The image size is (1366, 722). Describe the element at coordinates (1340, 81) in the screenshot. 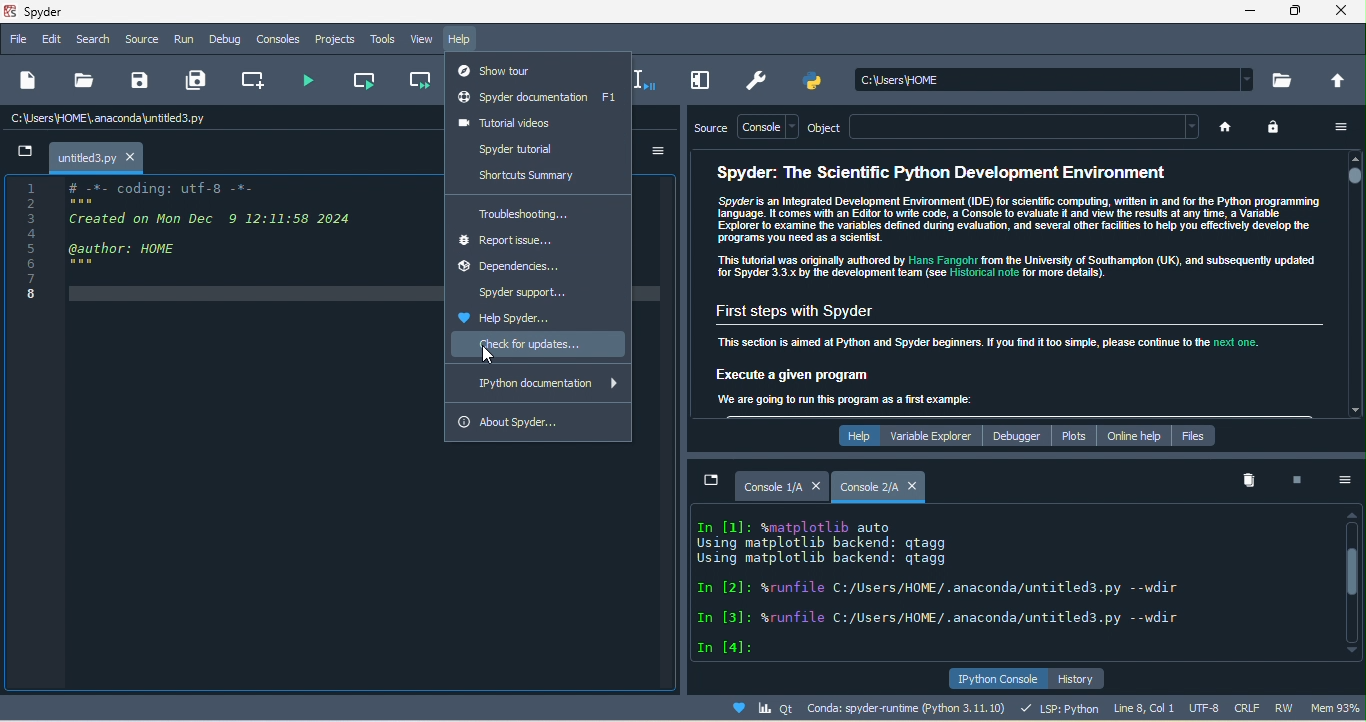

I see `change to parent directory` at that location.